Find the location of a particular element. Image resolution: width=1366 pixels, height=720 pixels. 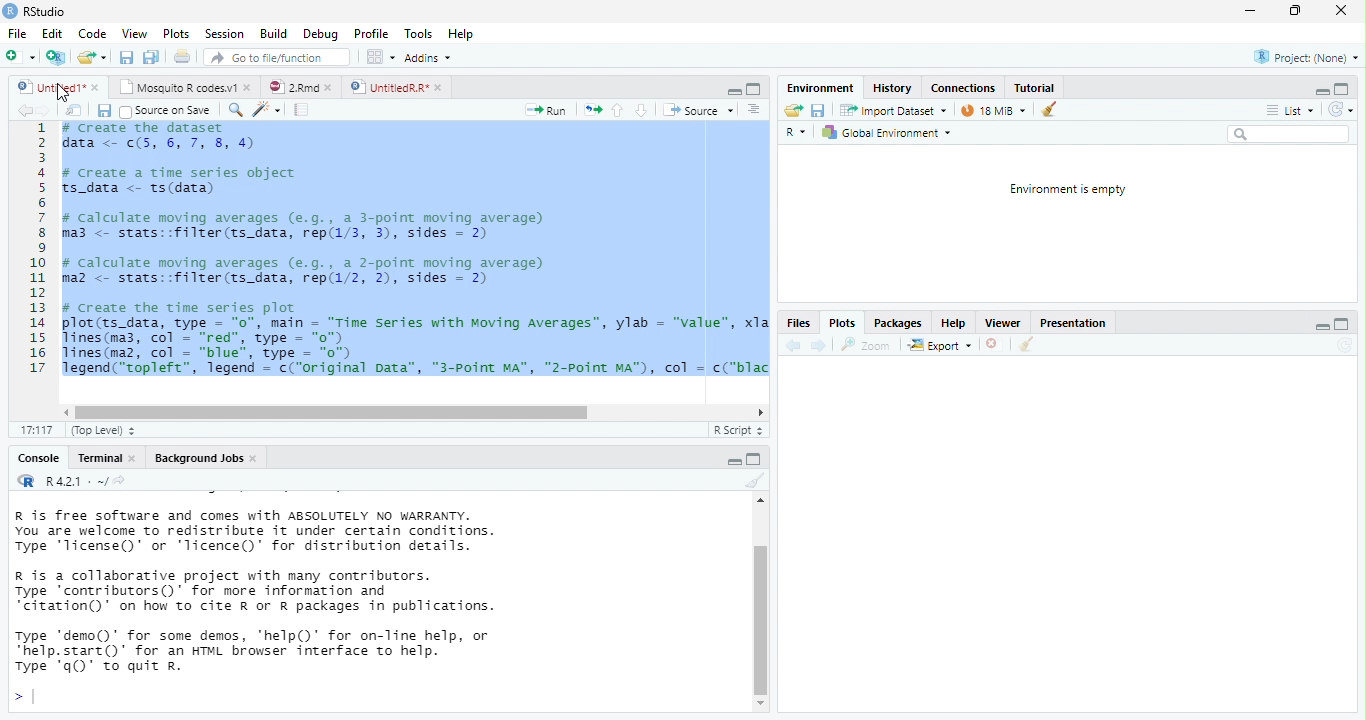

Profile is located at coordinates (371, 34).